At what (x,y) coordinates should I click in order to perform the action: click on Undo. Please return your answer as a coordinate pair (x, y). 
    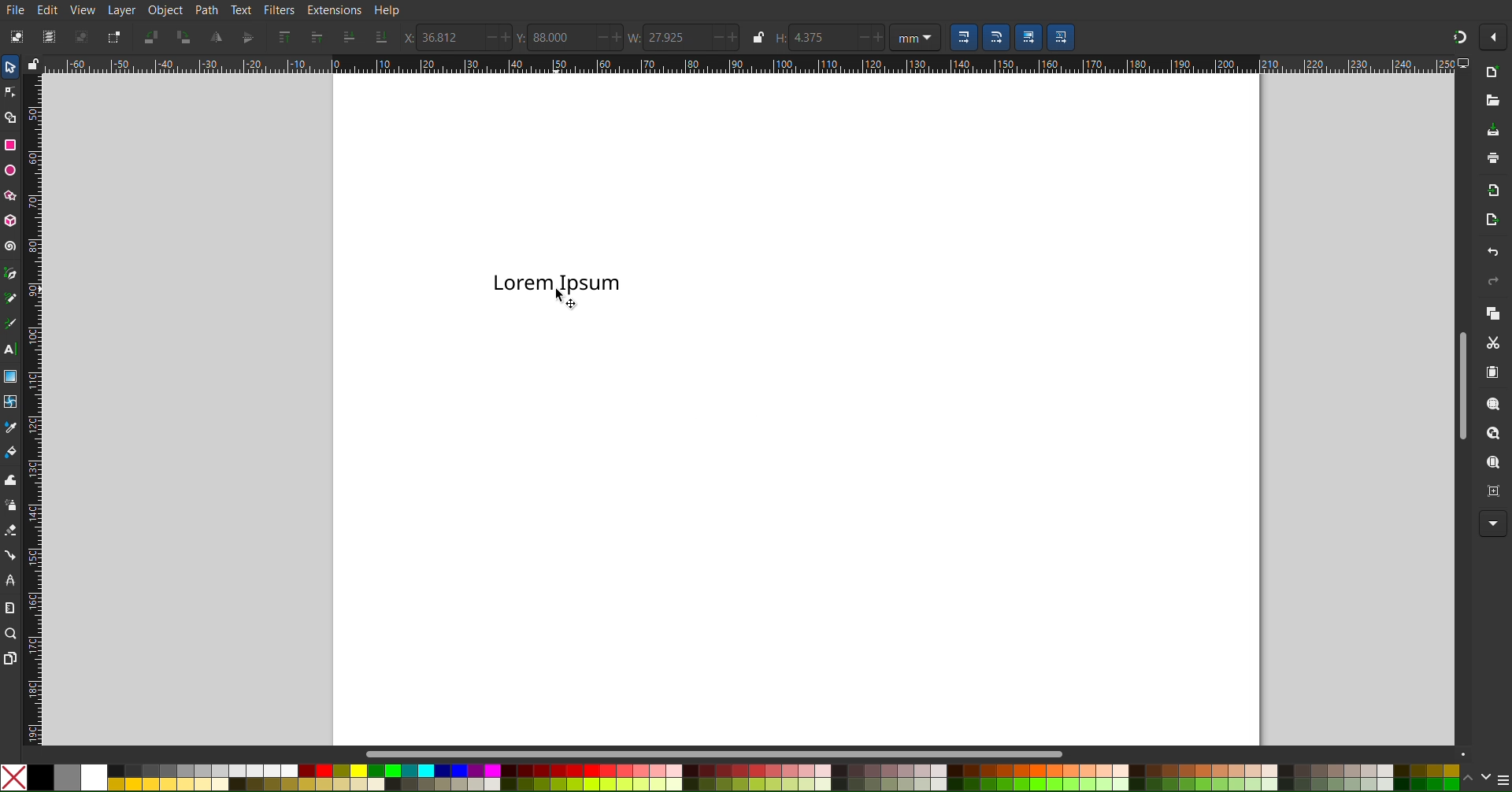
    Looking at the image, I should click on (1493, 253).